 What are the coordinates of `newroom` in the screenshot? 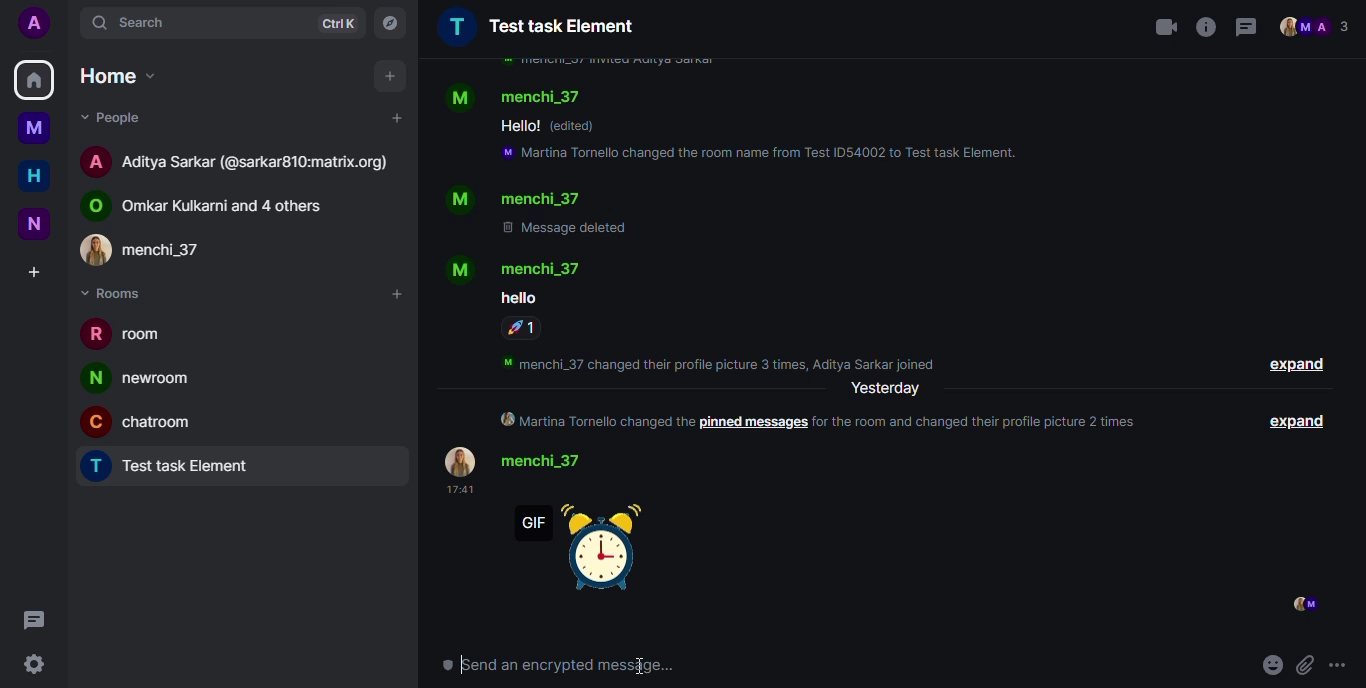 It's located at (143, 378).